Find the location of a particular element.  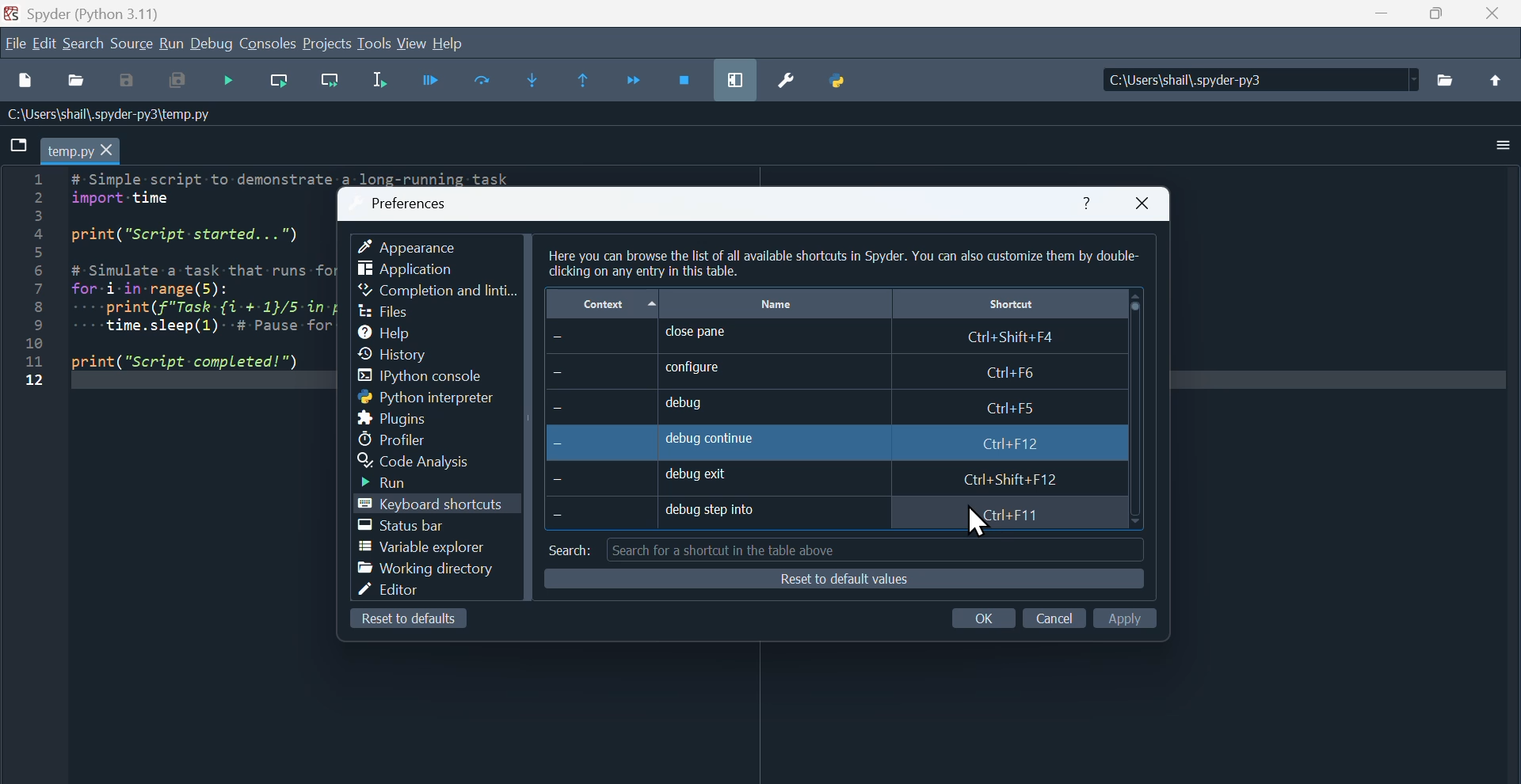

help is located at coordinates (460, 43).